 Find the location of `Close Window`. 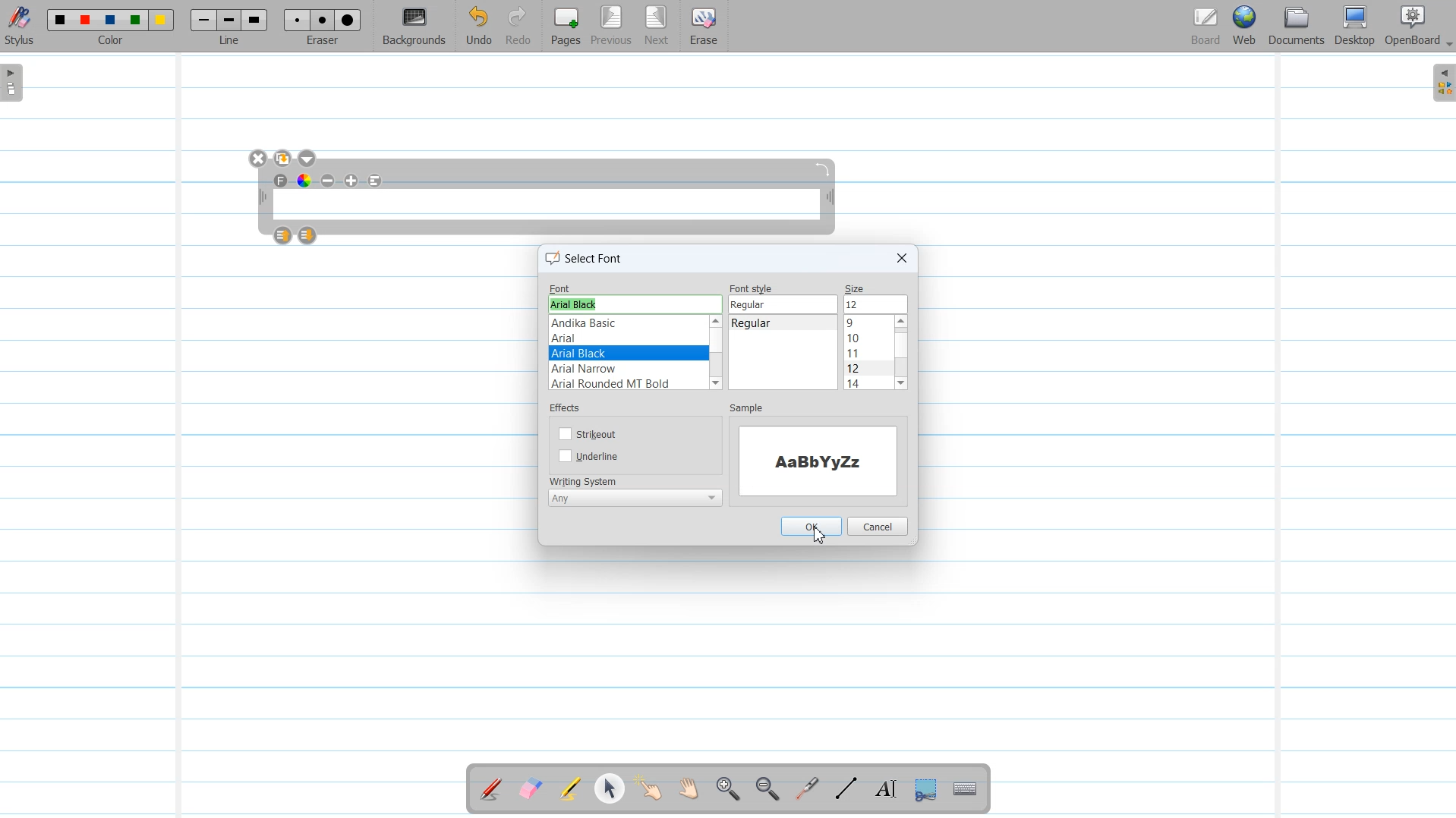

Close Window is located at coordinates (900, 258).